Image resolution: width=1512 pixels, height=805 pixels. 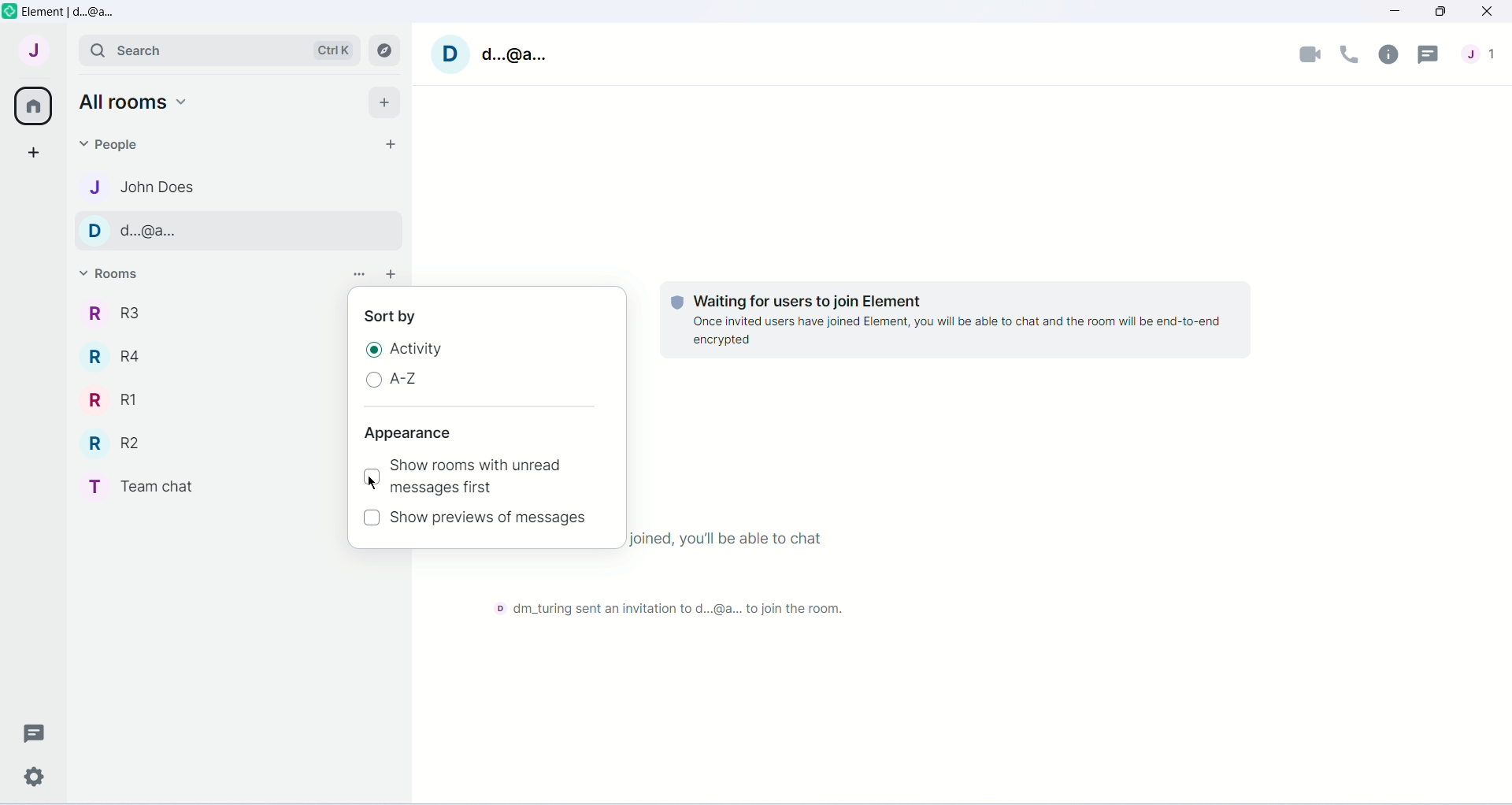 What do you see at coordinates (353, 273) in the screenshot?
I see `option` at bounding box center [353, 273].